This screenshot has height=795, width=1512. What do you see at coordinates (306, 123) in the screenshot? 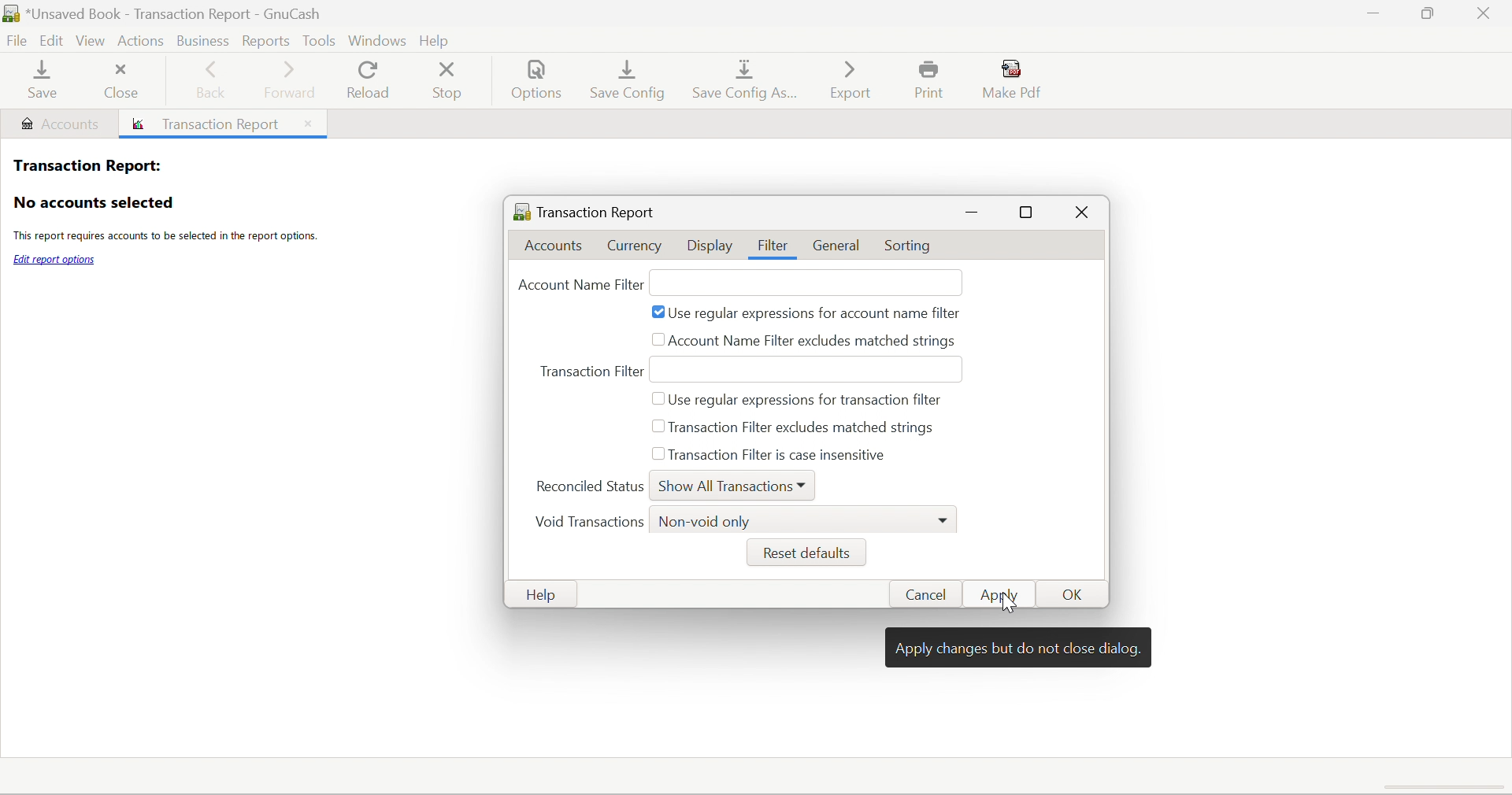
I see `Close` at bounding box center [306, 123].